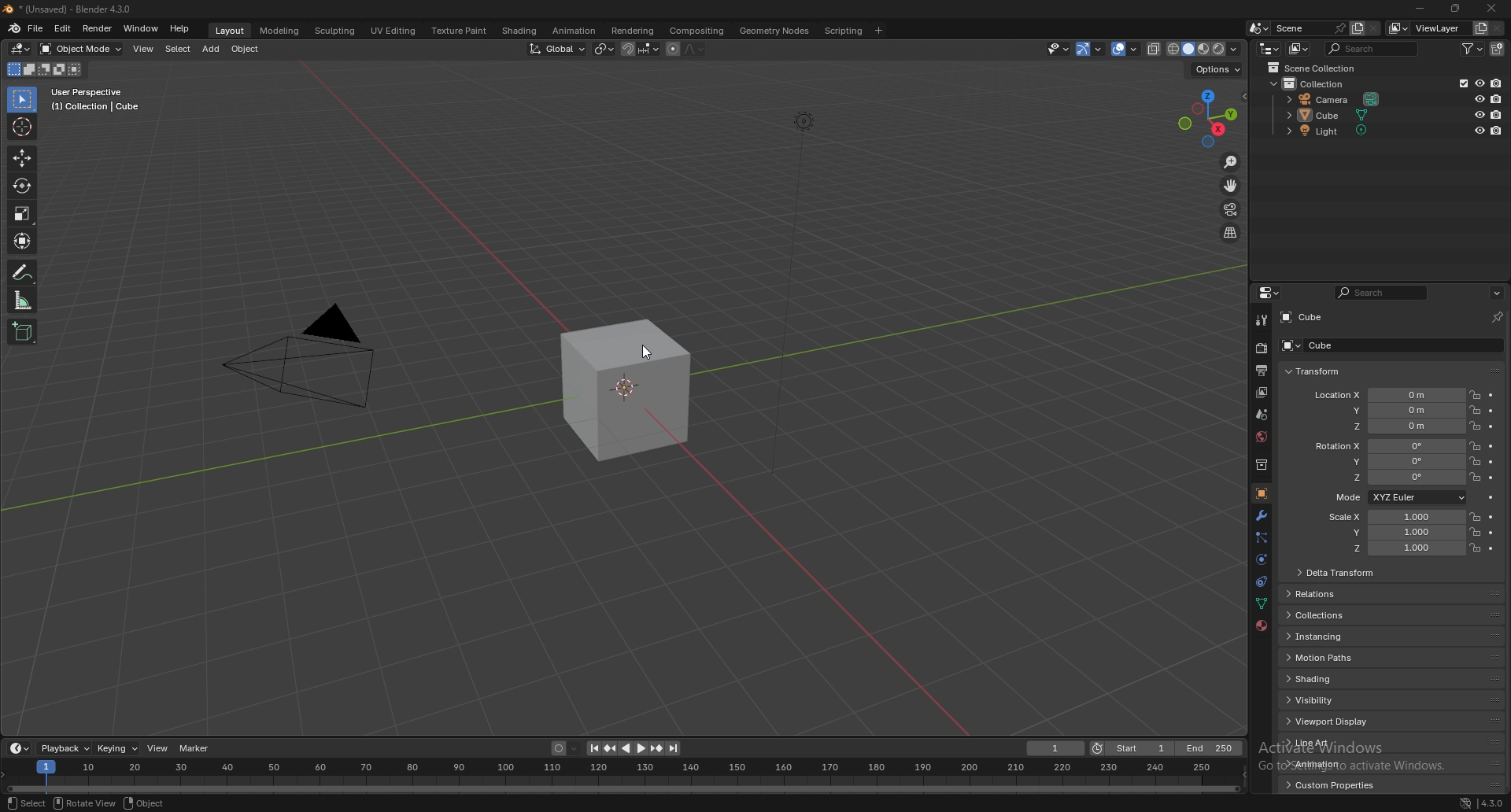 This screenshot has height=812, width=1511. Describe the element at coordinates (1232, 163) in the screenshot. I see `zoom` at that location.